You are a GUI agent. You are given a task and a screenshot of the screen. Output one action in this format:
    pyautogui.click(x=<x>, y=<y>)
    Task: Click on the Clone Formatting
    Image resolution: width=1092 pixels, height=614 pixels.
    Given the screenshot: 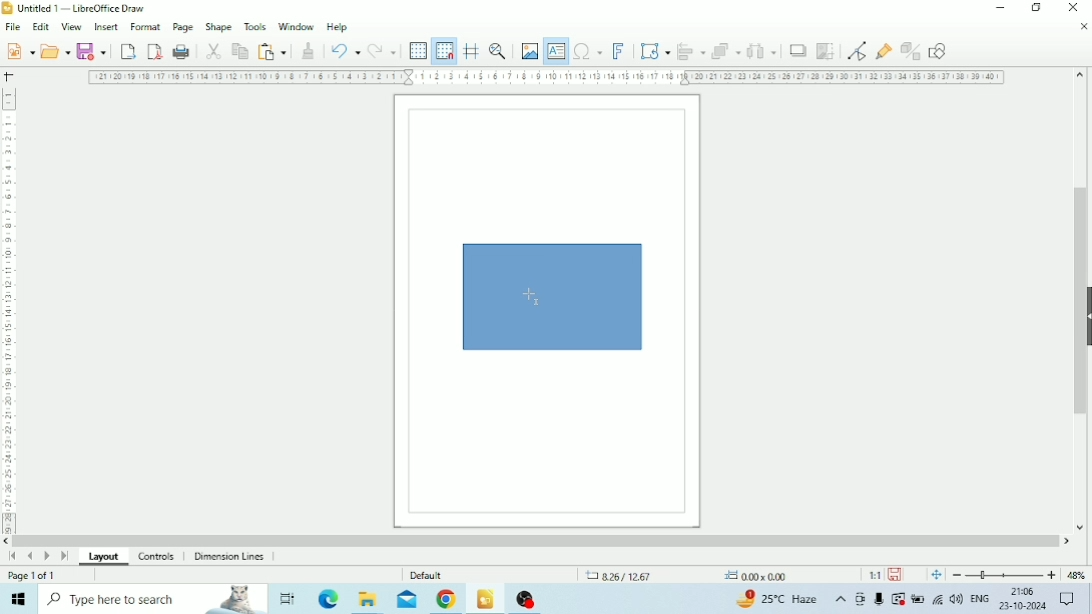 What is the action you would take?
    pyautogui.click(x=310, y=51)
    